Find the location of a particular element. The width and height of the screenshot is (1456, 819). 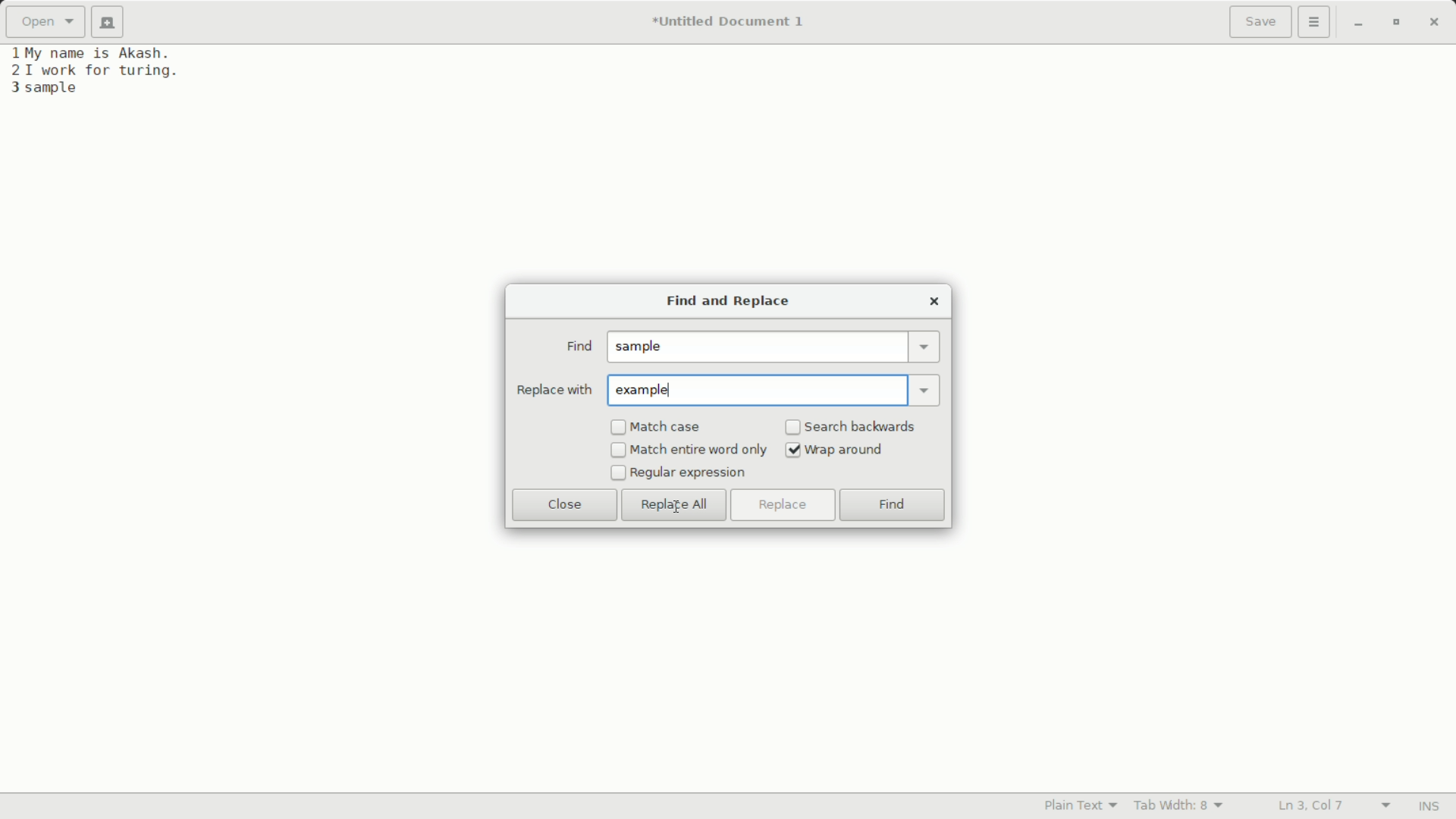

3 sample is located at coordinates (44, 89).